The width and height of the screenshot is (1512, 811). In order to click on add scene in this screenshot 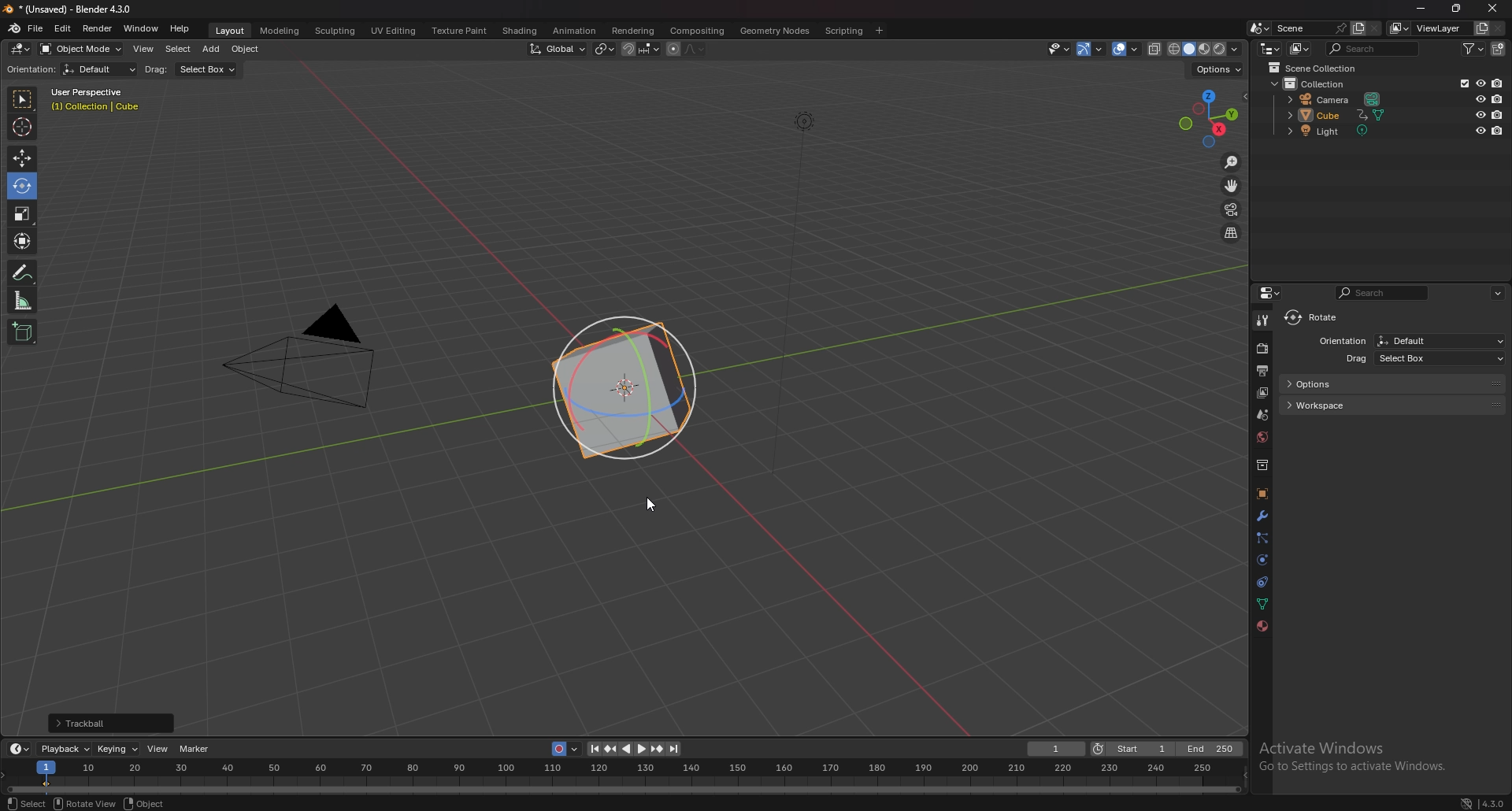, I will do `click(1358, 28)`.